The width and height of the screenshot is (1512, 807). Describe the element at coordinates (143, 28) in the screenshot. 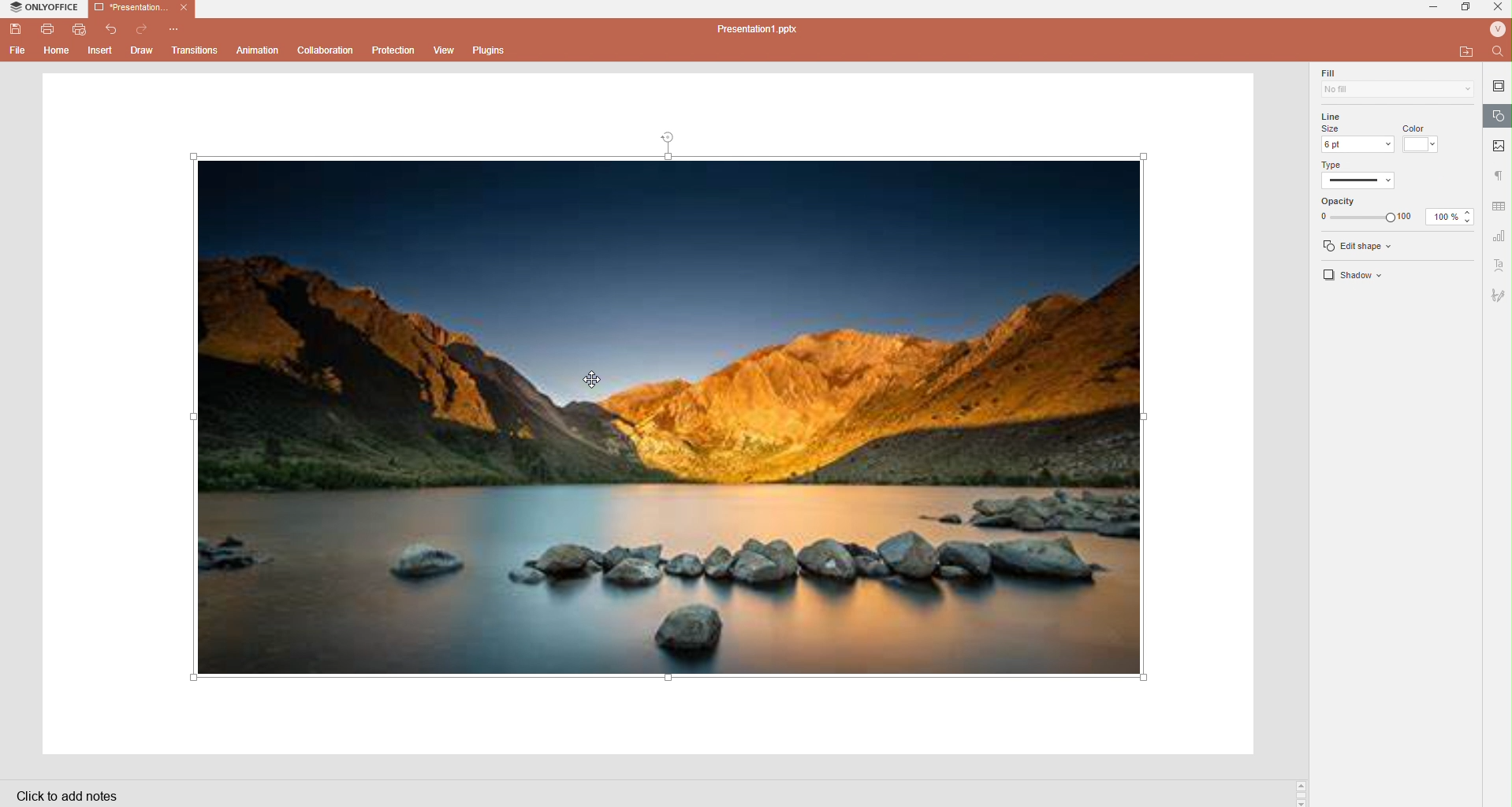

I see `Redo` at that location.